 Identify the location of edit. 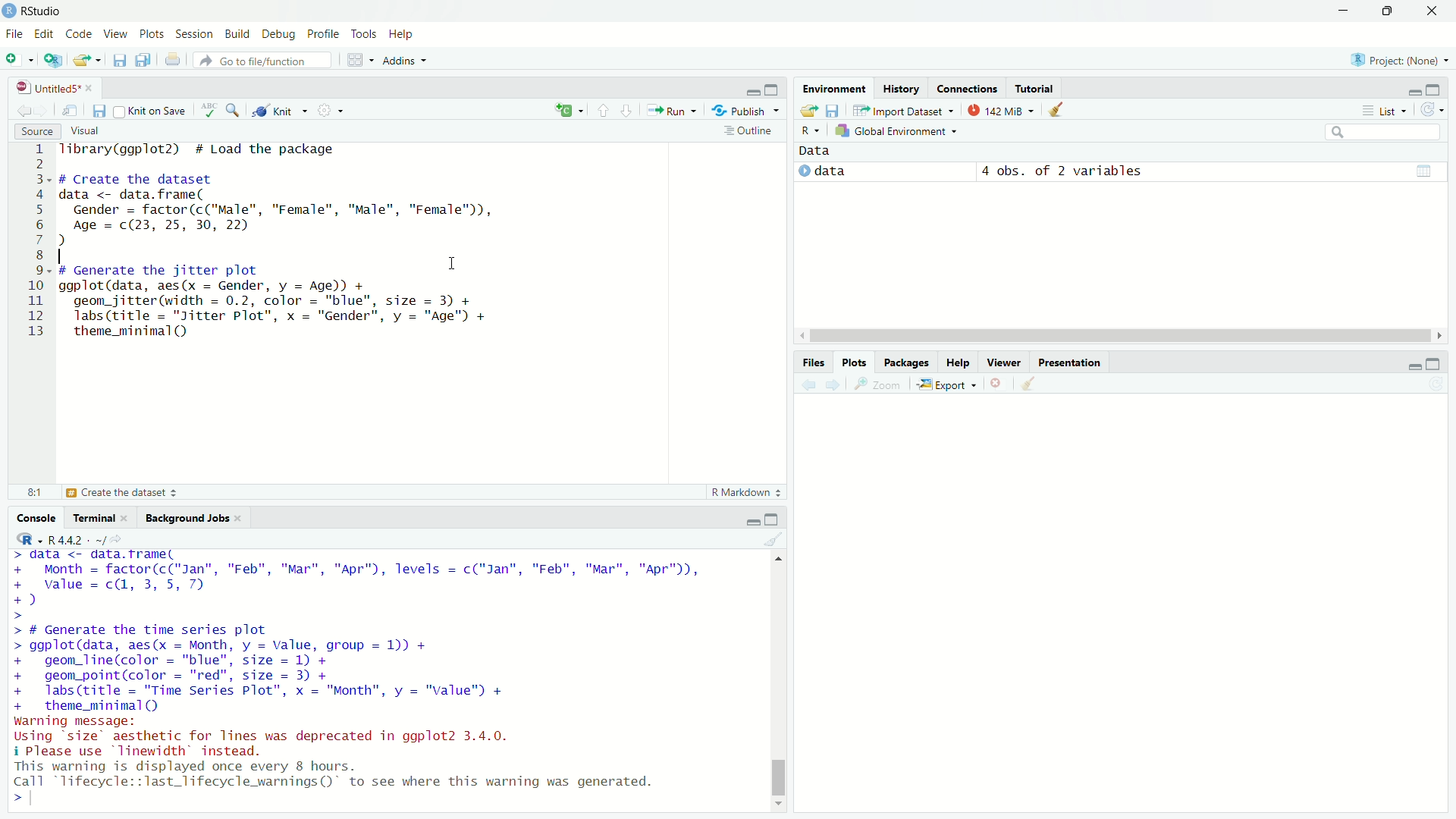
(45, 35).